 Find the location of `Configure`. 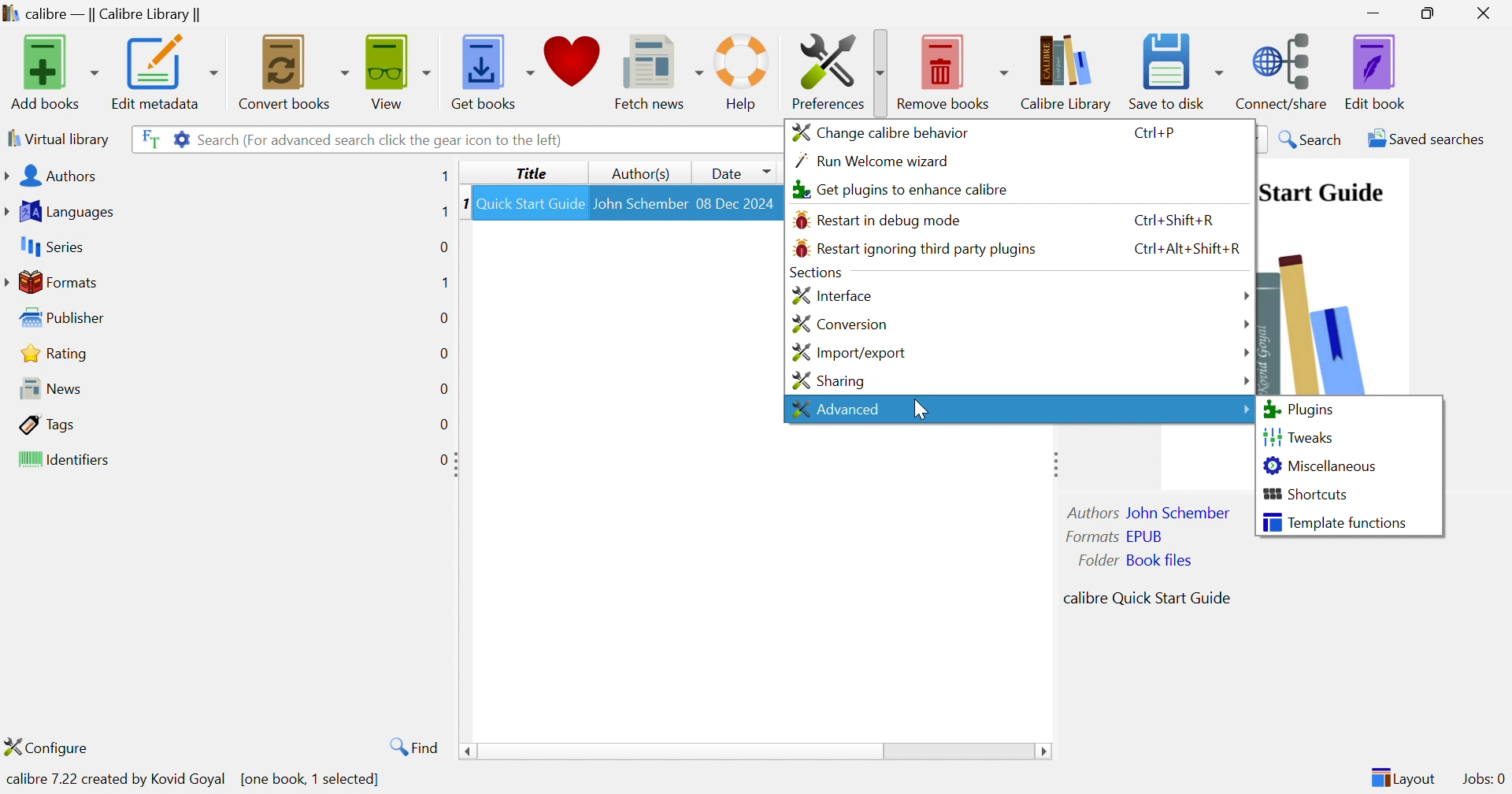

Configure is located at coordinates (53, 747).